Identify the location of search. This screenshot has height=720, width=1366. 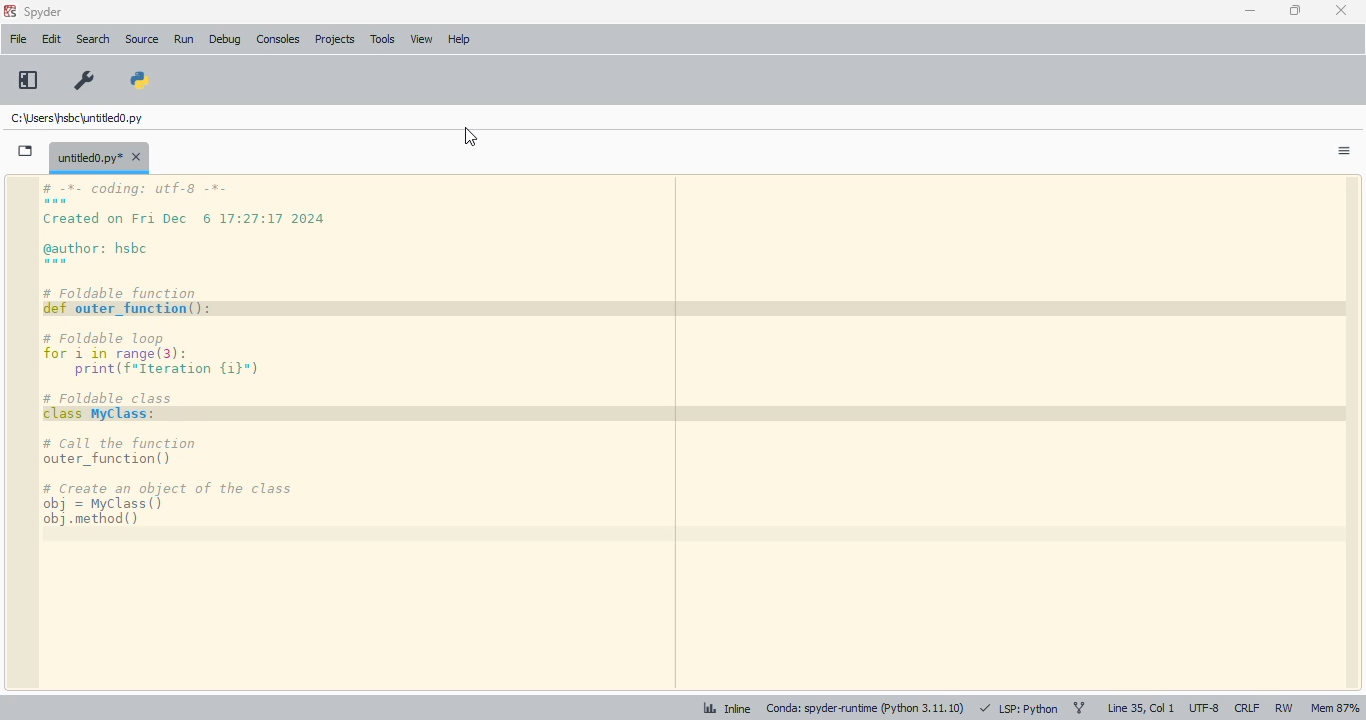
(94, 39).